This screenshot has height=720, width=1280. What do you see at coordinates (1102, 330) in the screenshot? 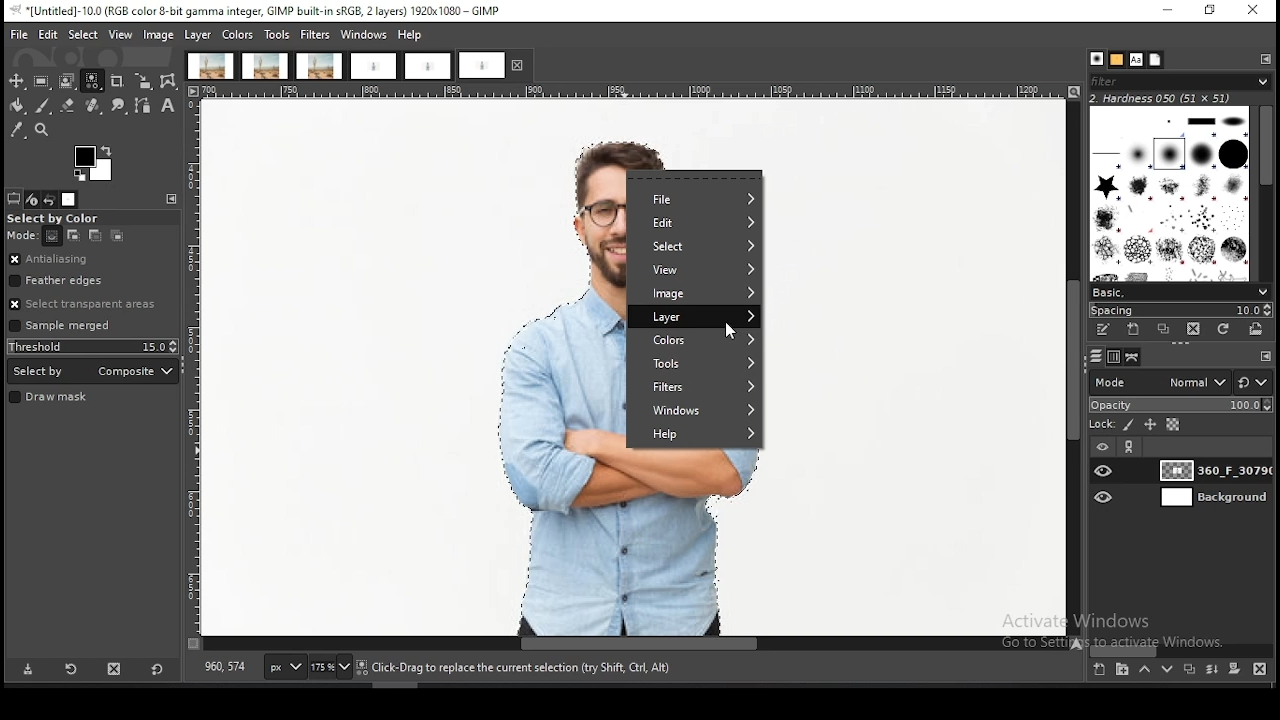
I see `edit this brush` at bounding box center [1102, 330].